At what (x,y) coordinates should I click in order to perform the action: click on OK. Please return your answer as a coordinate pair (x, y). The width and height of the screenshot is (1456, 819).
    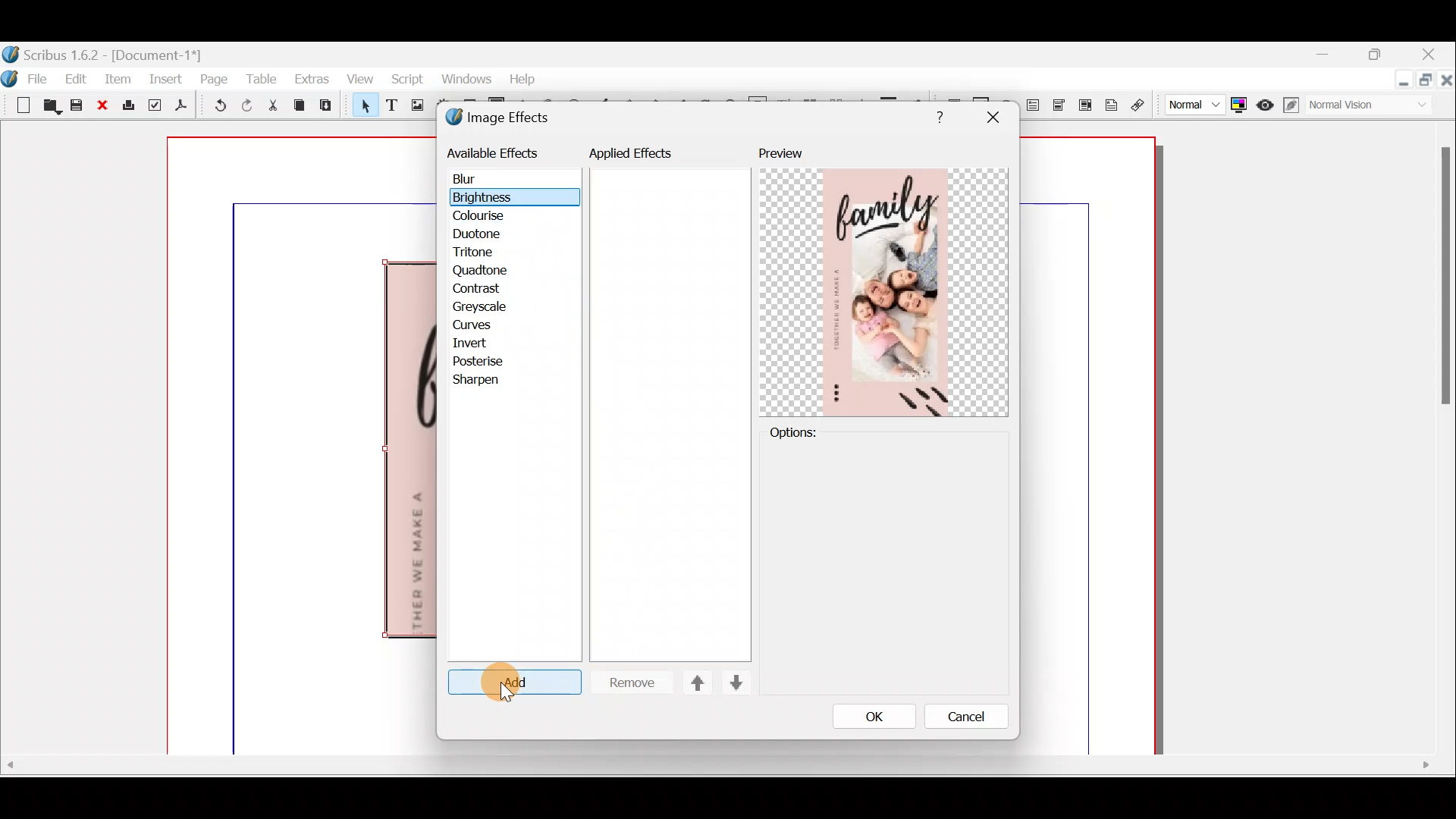
    Looking at the image, I should click on (868, 716).